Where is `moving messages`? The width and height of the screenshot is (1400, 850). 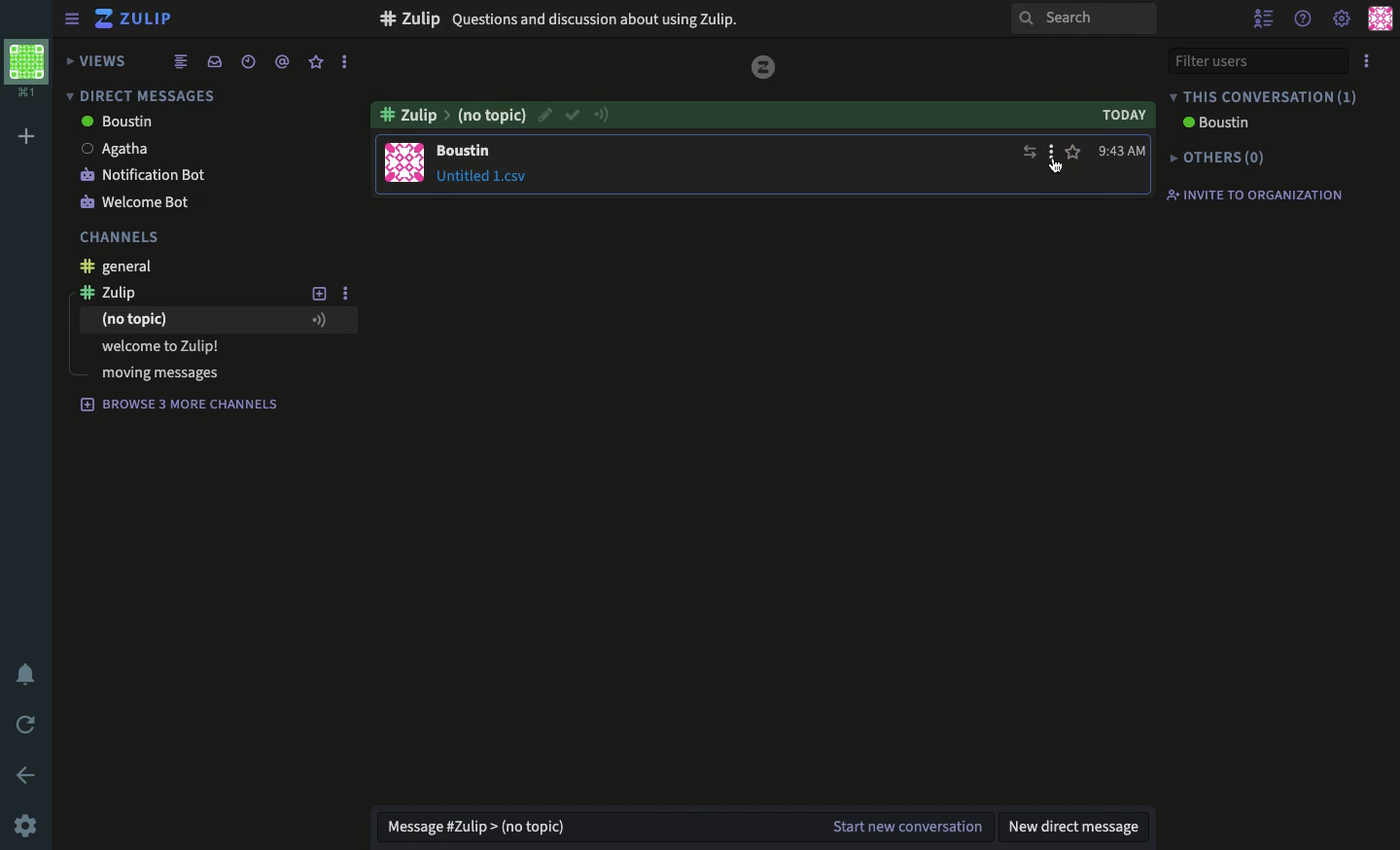
moving messages is located at coordinates (160, 372).